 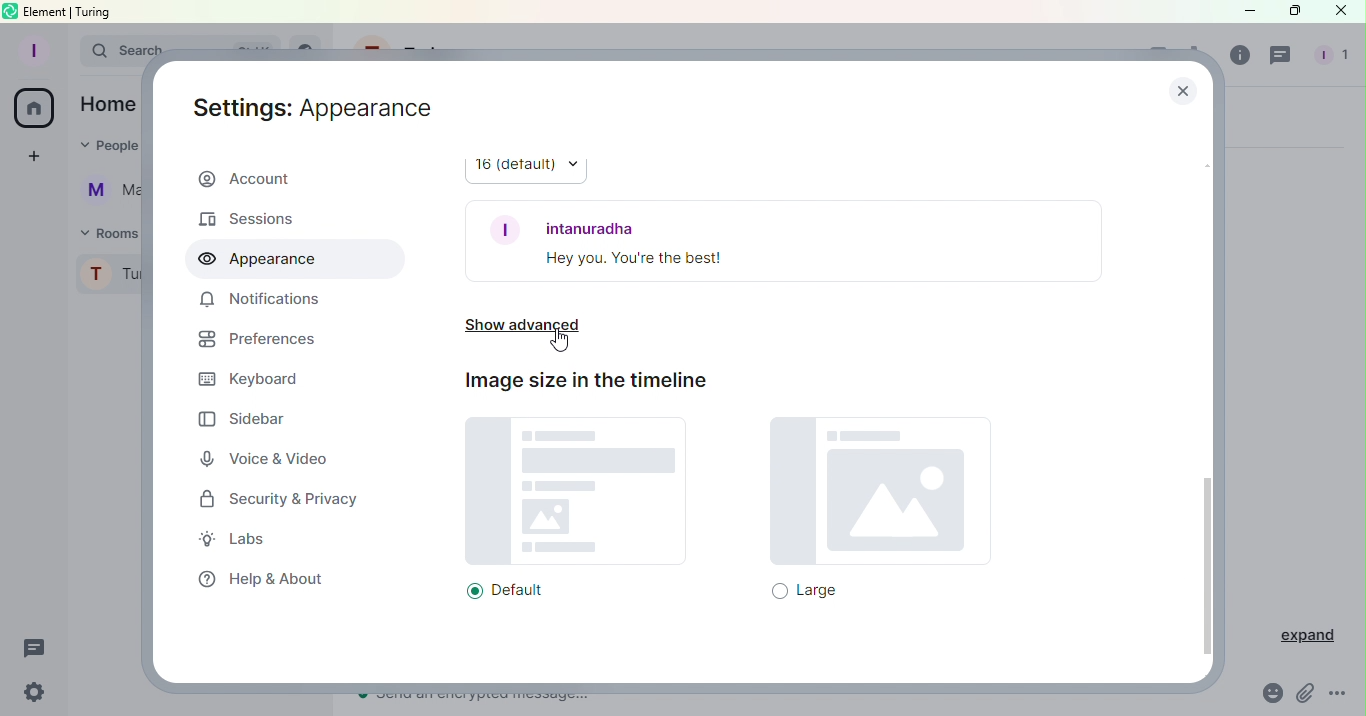 What do you see at coordinates (262, 458) in the screenshot?
I see `Voice and Video` at bounding box center [262, 458].